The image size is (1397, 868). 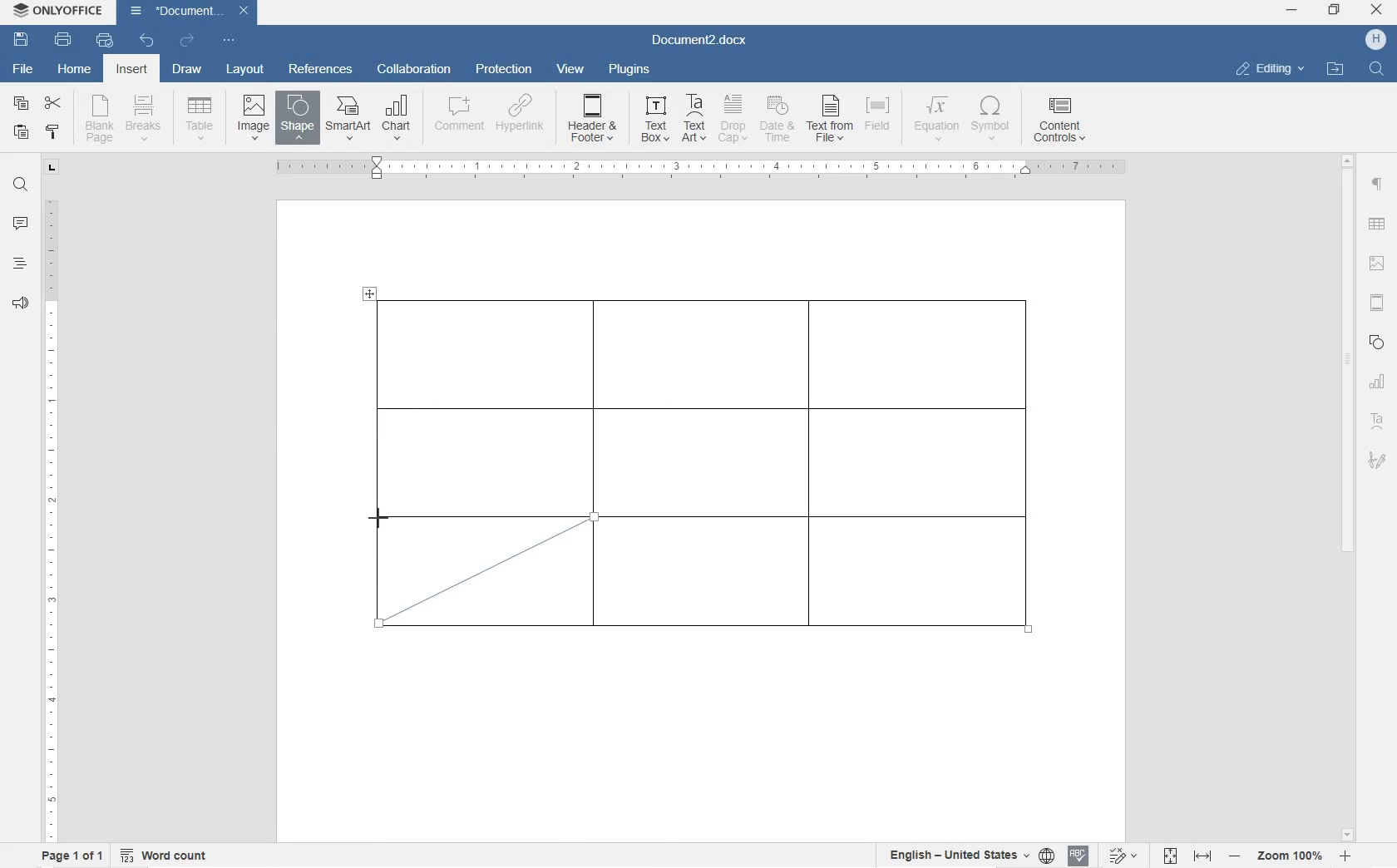 I want to click on diagonal line border drawn, so click(x=483, y=570).